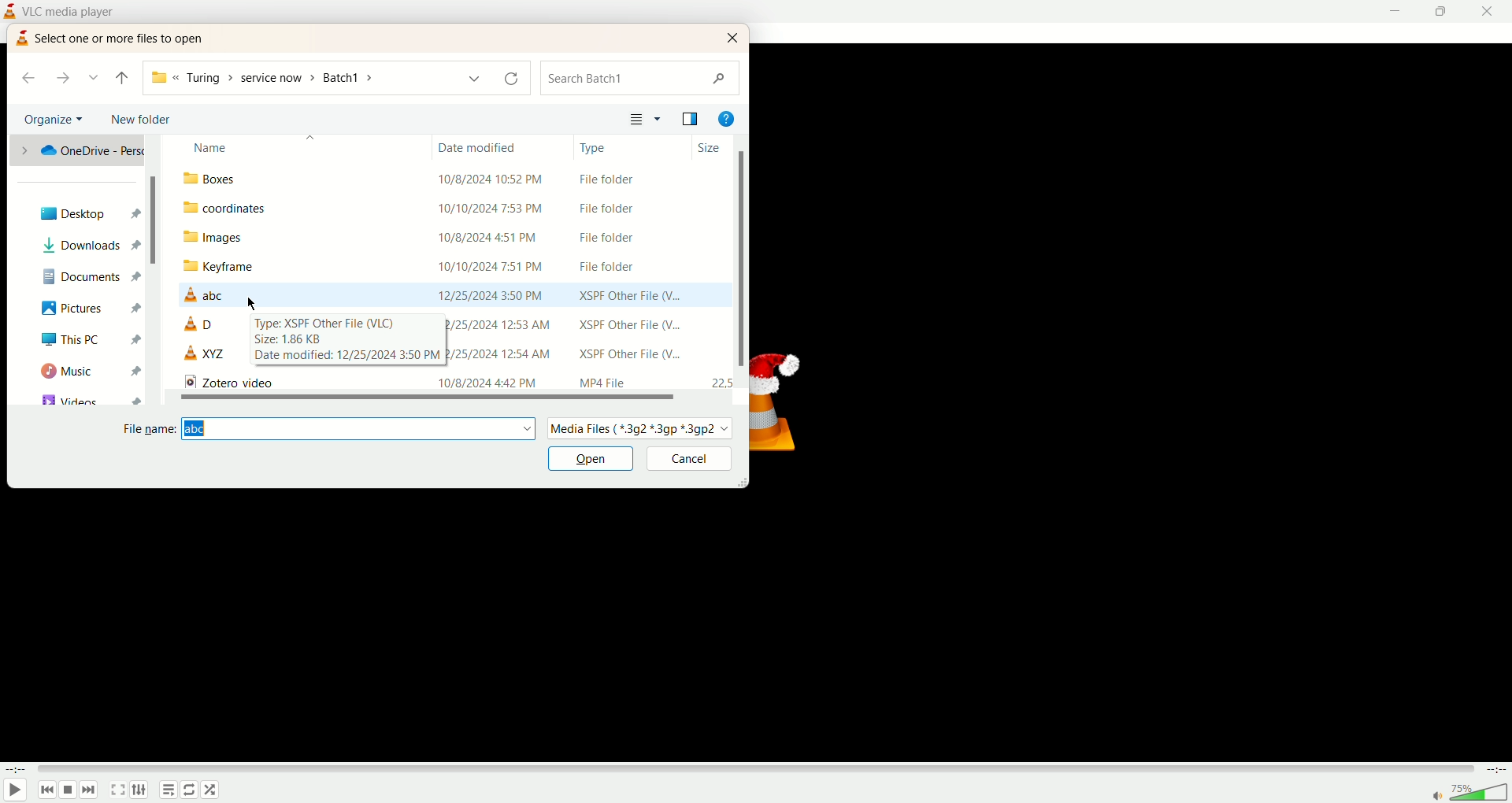  What do you see at coordinates (168, 790) in the screenshot?
I see `playlist` at bounding box center [168, 790].